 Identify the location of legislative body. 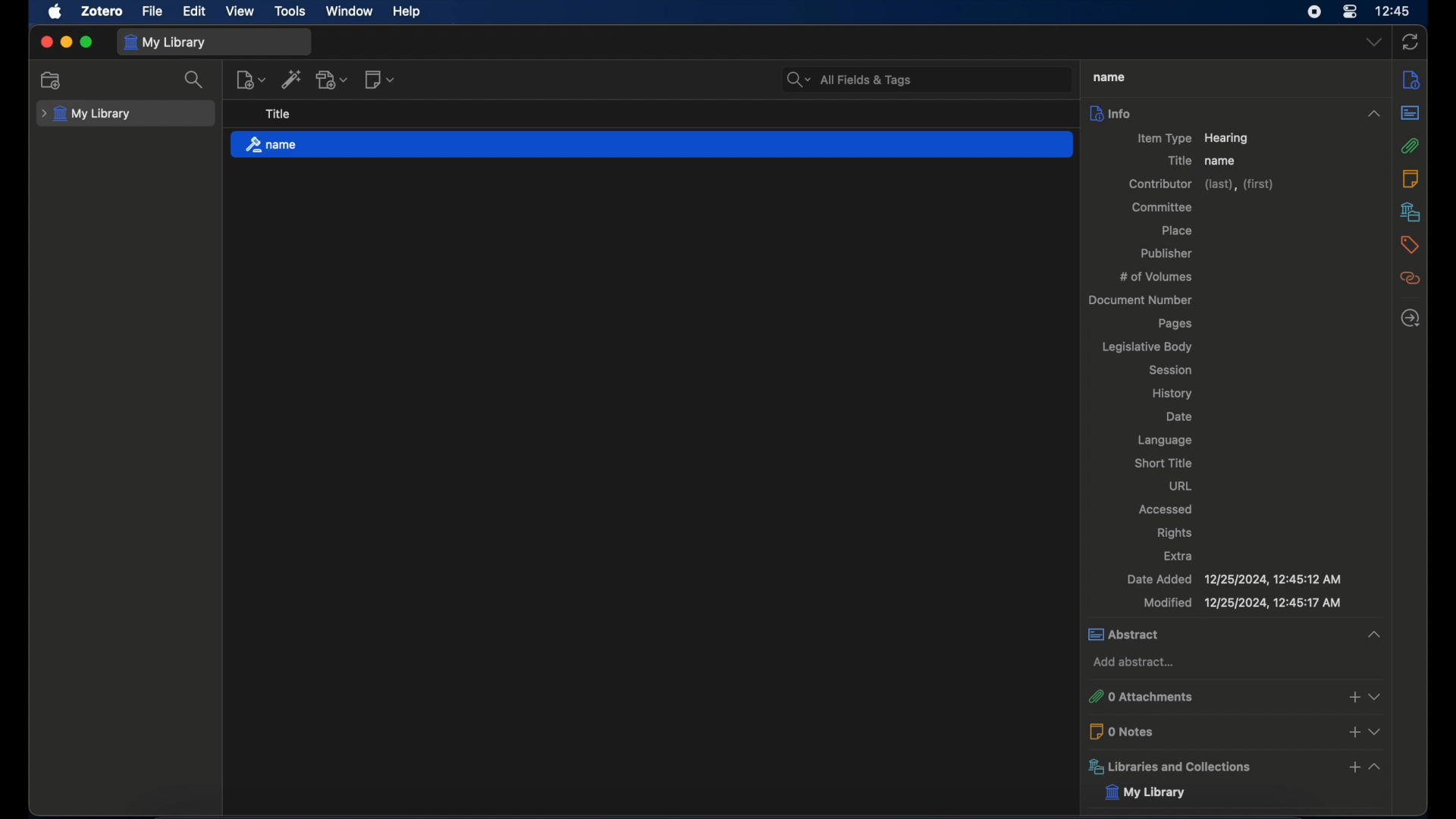
(1146, 347).